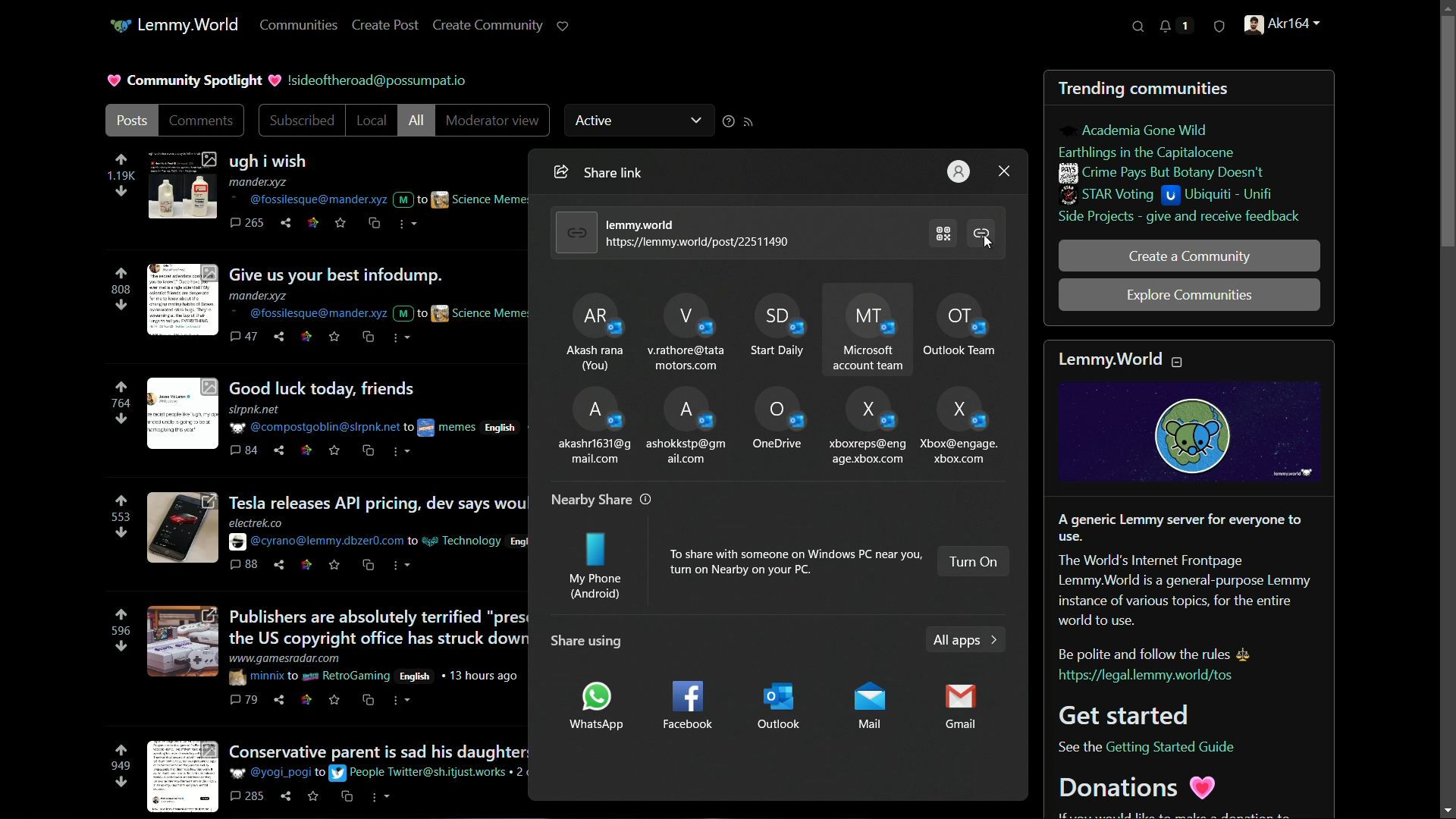 Image resolution: width=1456 pixels, height=819 pixels. What do you see at coordinates (401, 700) in the screenshot?
I see `more actions` at bounding box center [401, 700].